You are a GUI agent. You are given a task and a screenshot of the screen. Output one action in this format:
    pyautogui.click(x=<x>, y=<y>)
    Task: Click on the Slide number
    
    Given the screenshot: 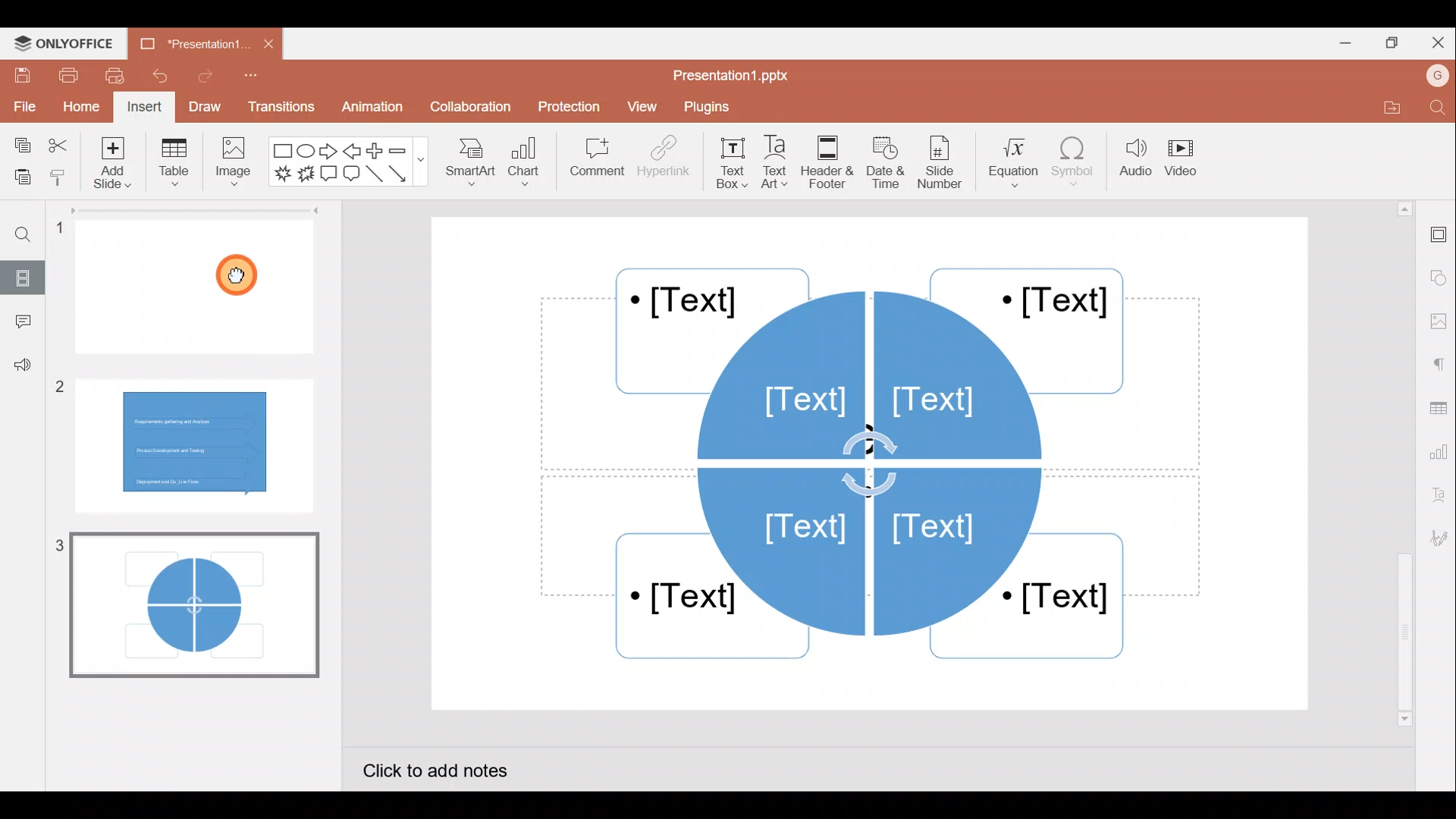 What is the action you would take?
    pyautogui.click(x=945, y=162)
    